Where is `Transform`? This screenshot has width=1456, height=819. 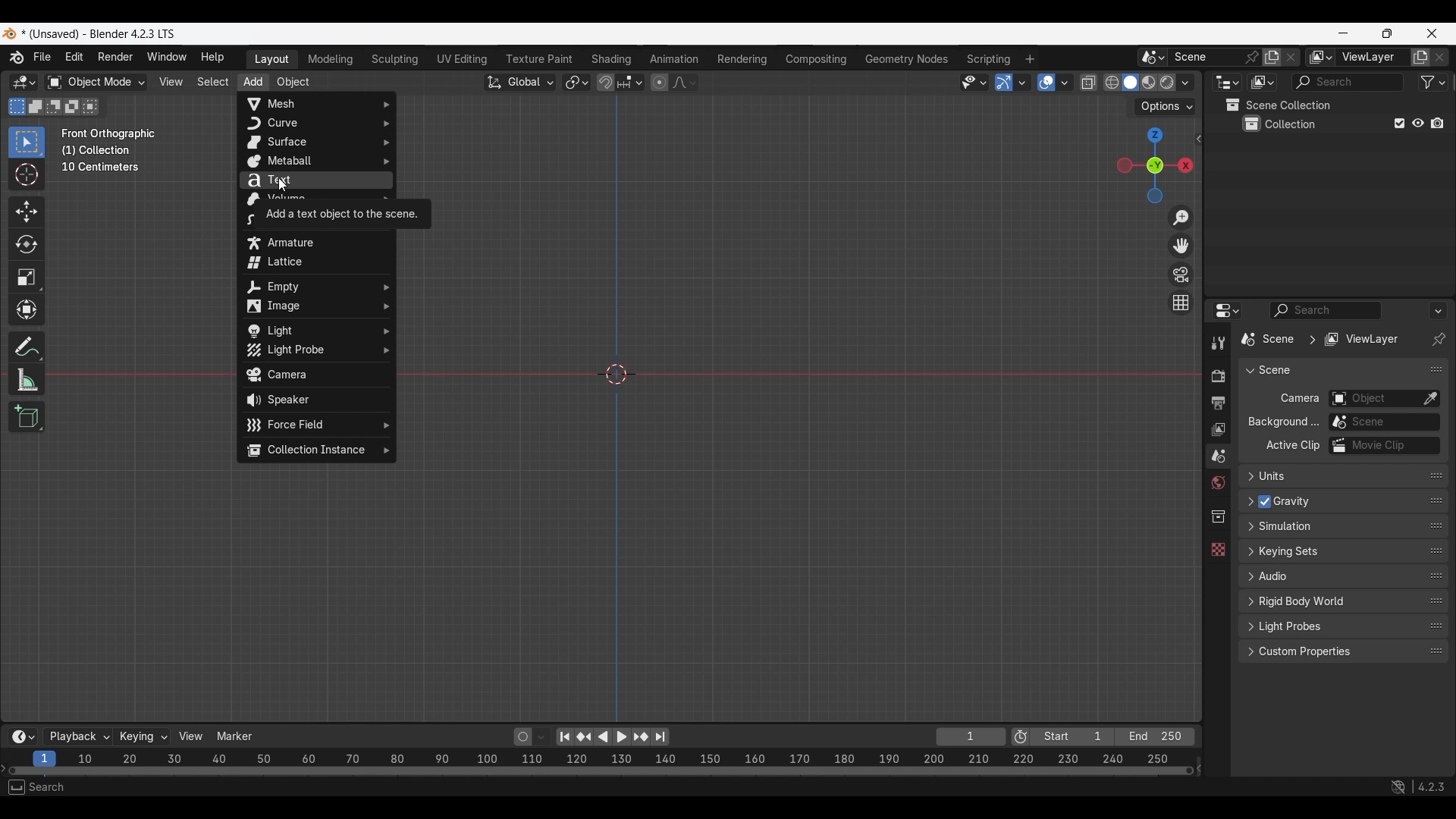
Transform is located at coordinates (26, 311).